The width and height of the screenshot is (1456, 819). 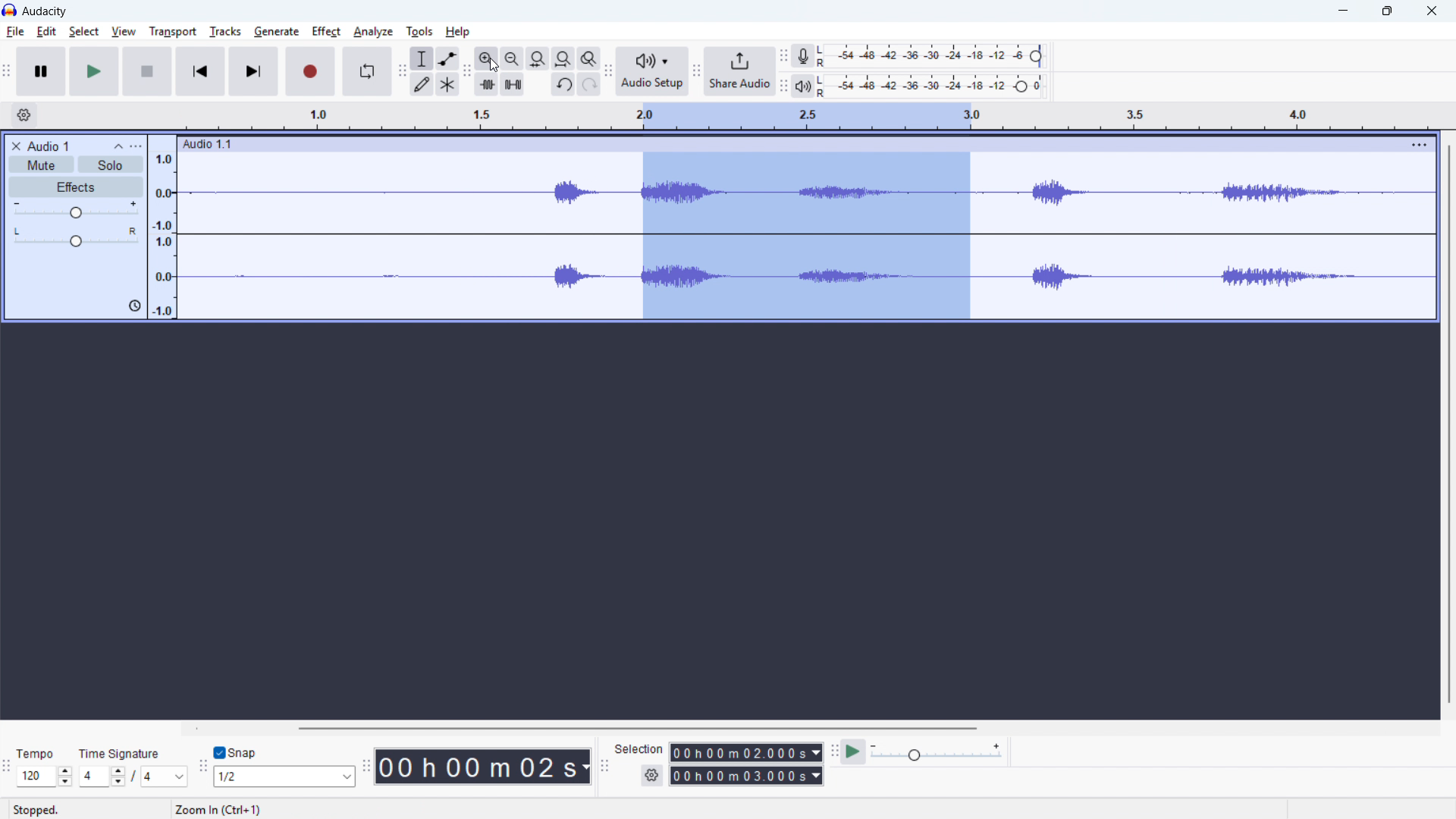 What do you see at coordinates (935, 85) in the screenshot?
I see `Playback level` at bounding box center [935, 85].